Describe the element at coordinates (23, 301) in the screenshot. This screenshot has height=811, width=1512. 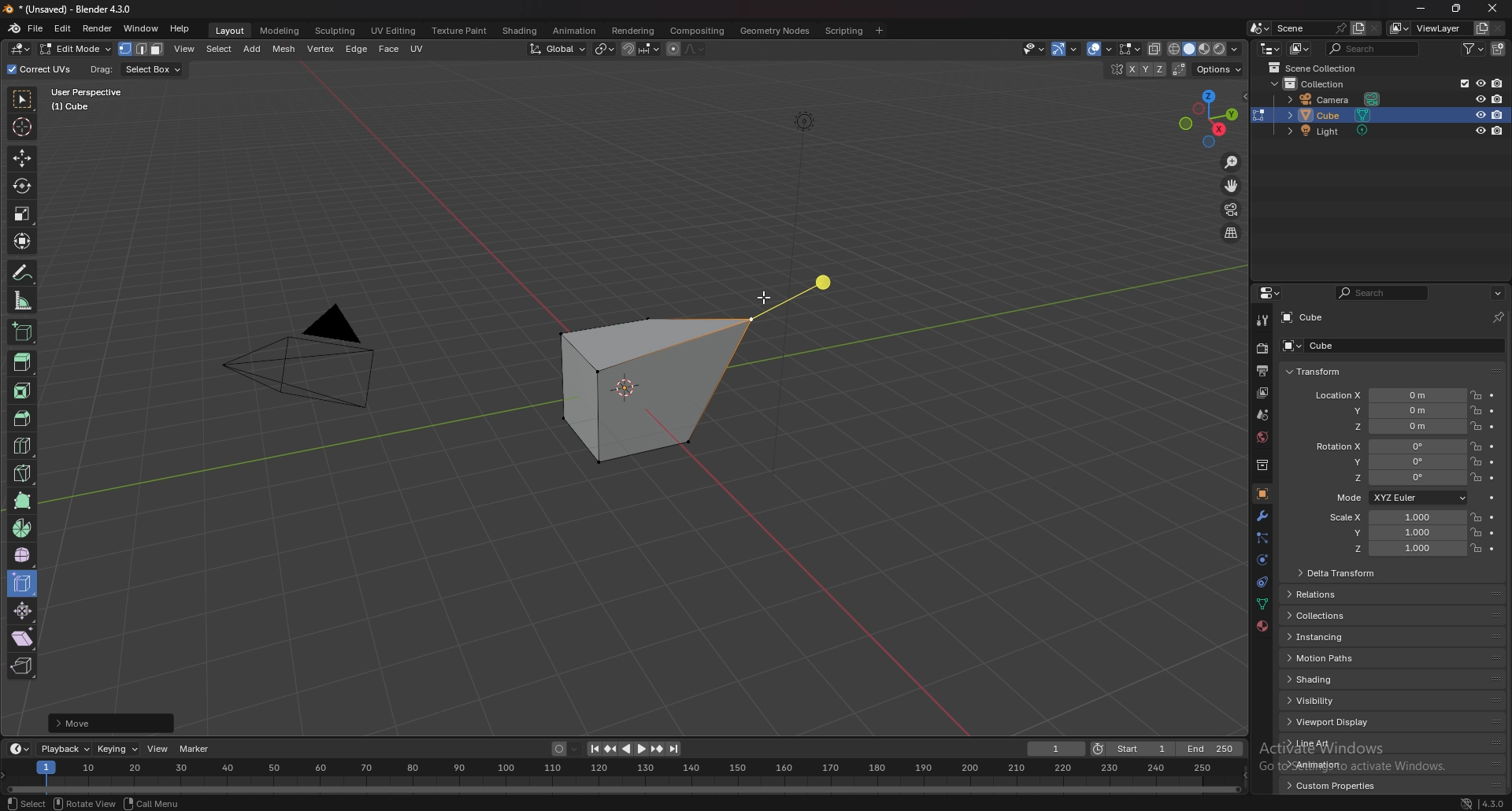
I see `measure` at that location.